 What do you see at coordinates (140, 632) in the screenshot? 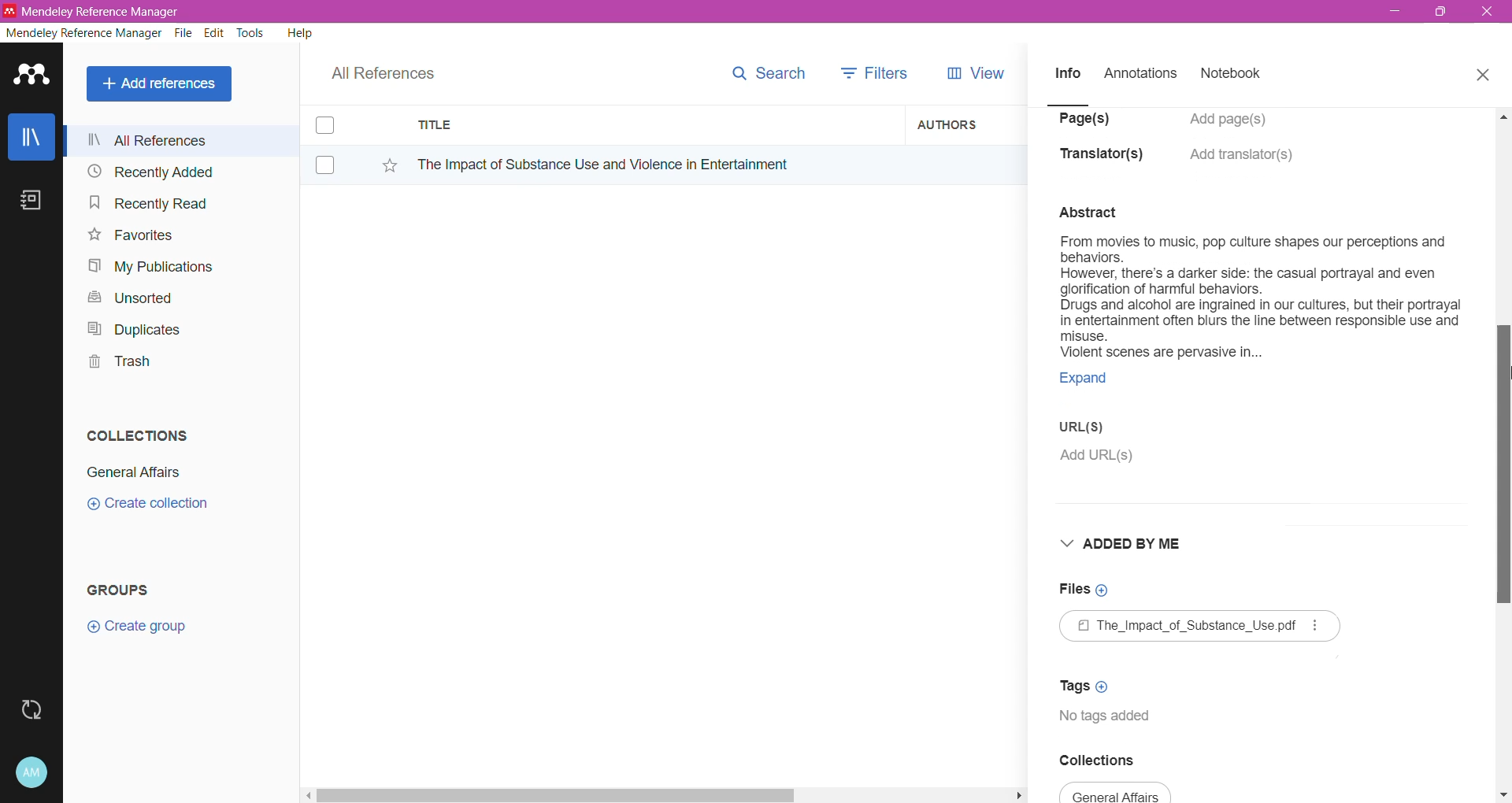
I see `Click to Create Group` at bounding box center [140, 632].